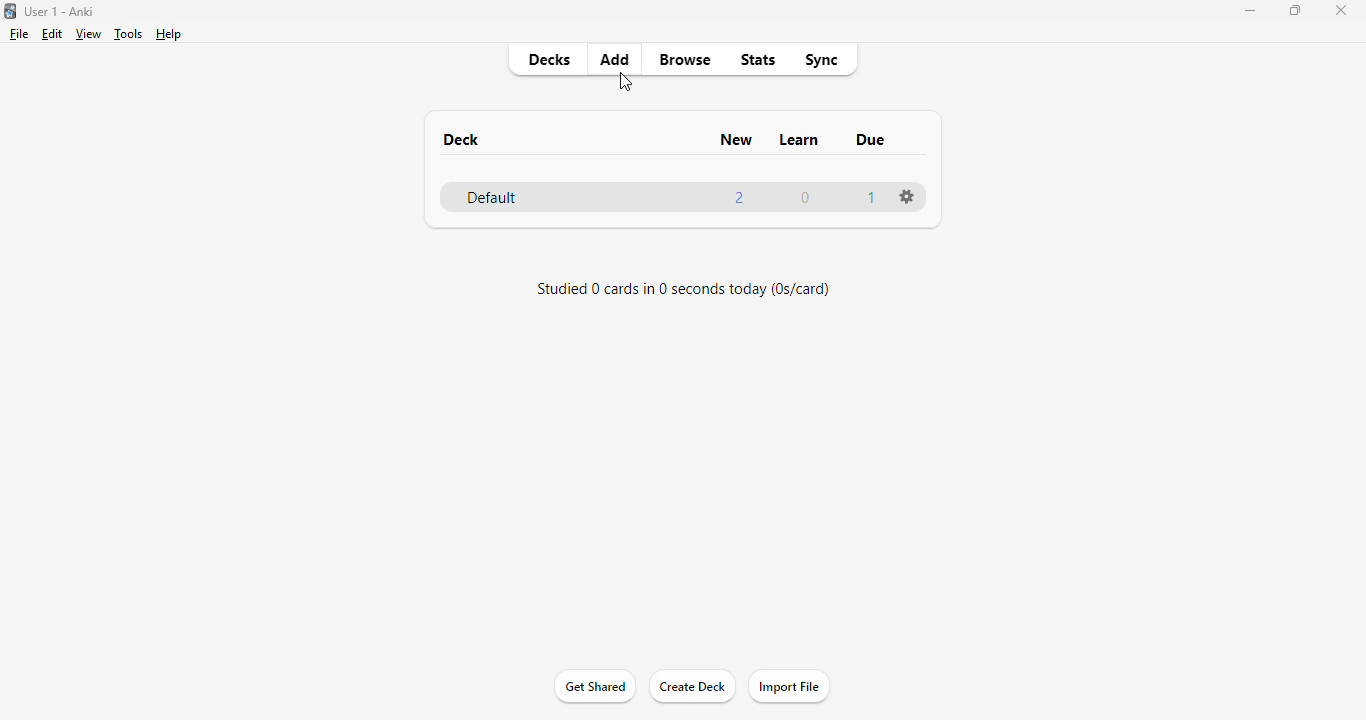 This screenshot has height=720, width=1366. What do you see at coordinates (681, 291) in the screenshot?
I see `studied 0 cards in 0 seconds today (0s/card)` at bounding box center [681, 291].